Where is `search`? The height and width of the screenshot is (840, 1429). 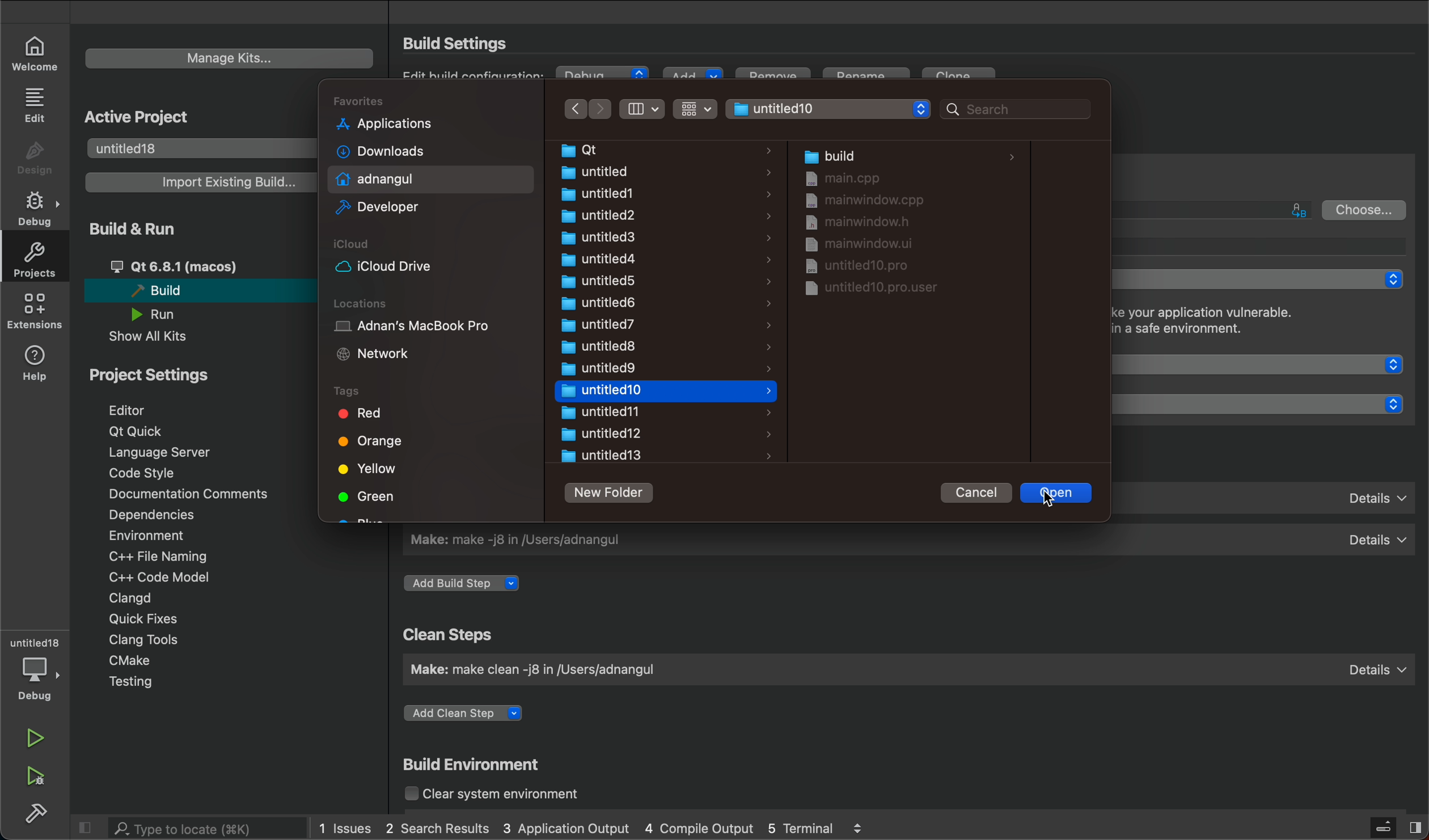 search is located at coordinates (1020, 109).